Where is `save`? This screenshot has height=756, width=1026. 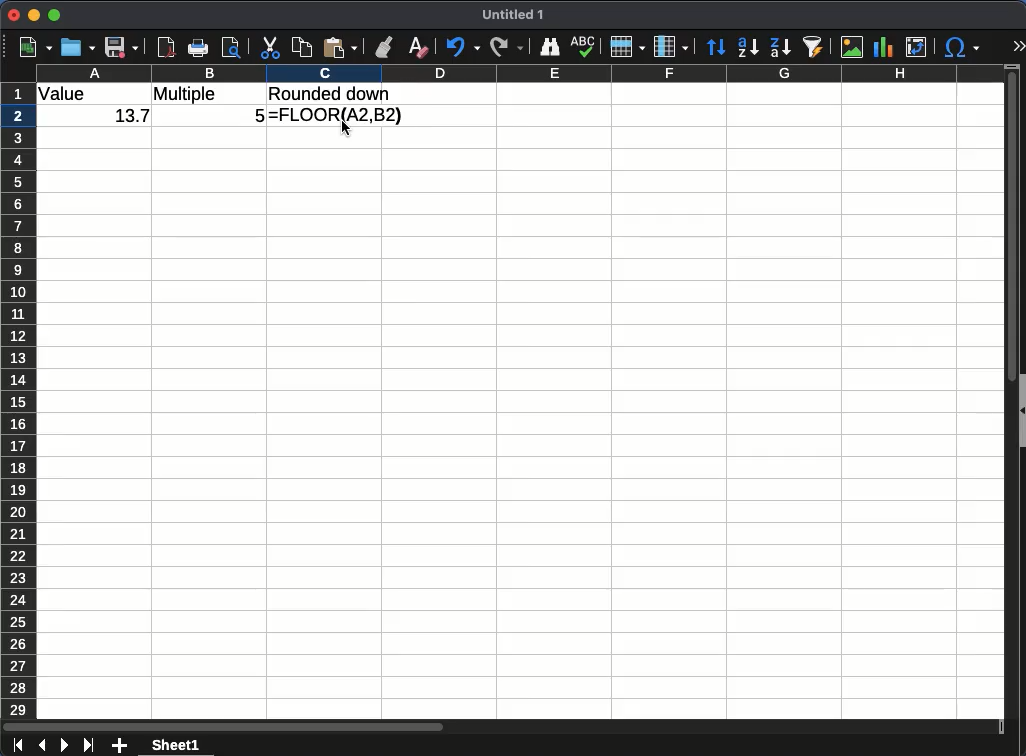 save is located at coordinates (122, 48).